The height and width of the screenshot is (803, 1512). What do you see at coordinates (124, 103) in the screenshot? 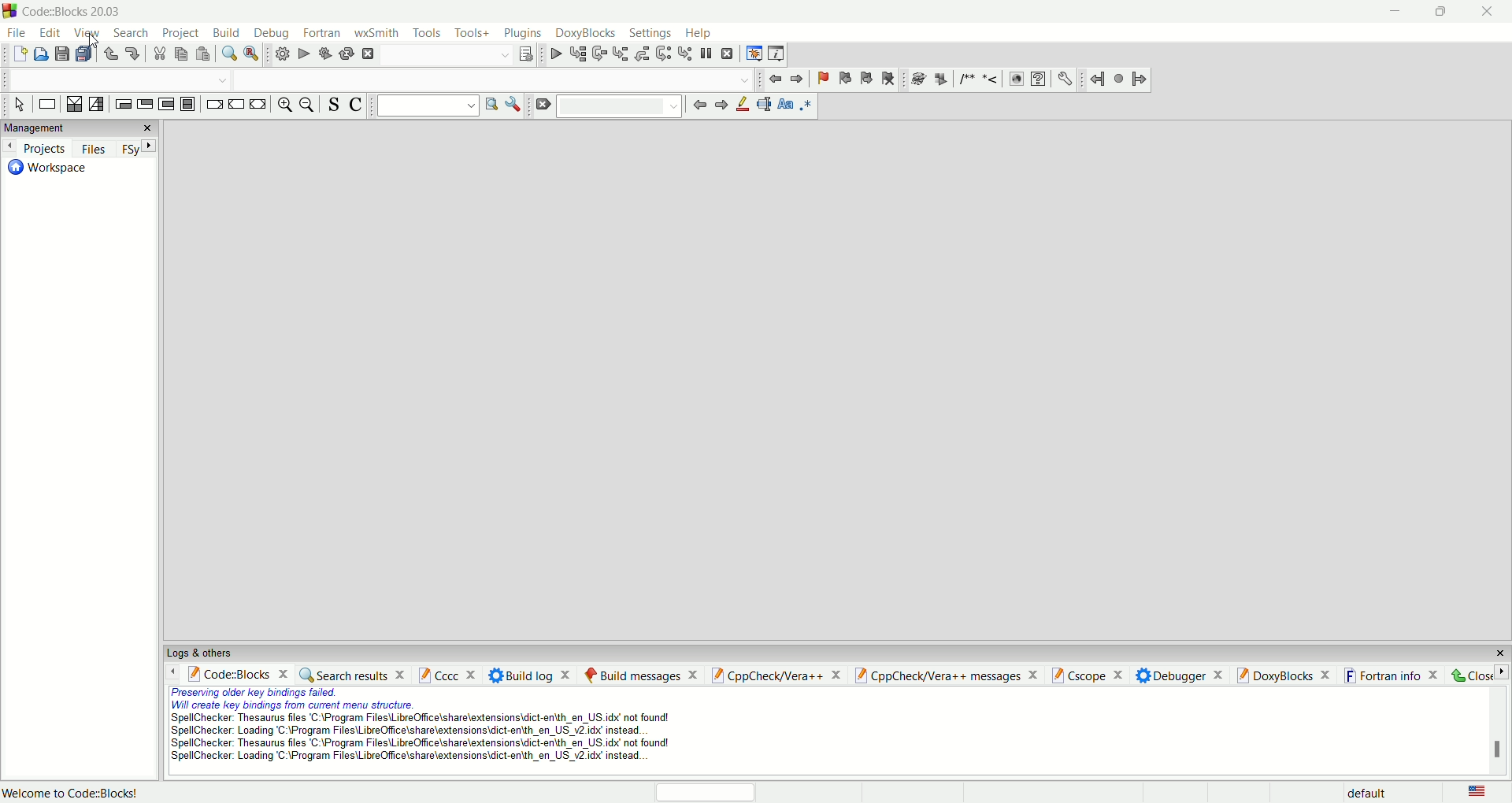
I see `entry condition loop` at bounding box center [124, 103].